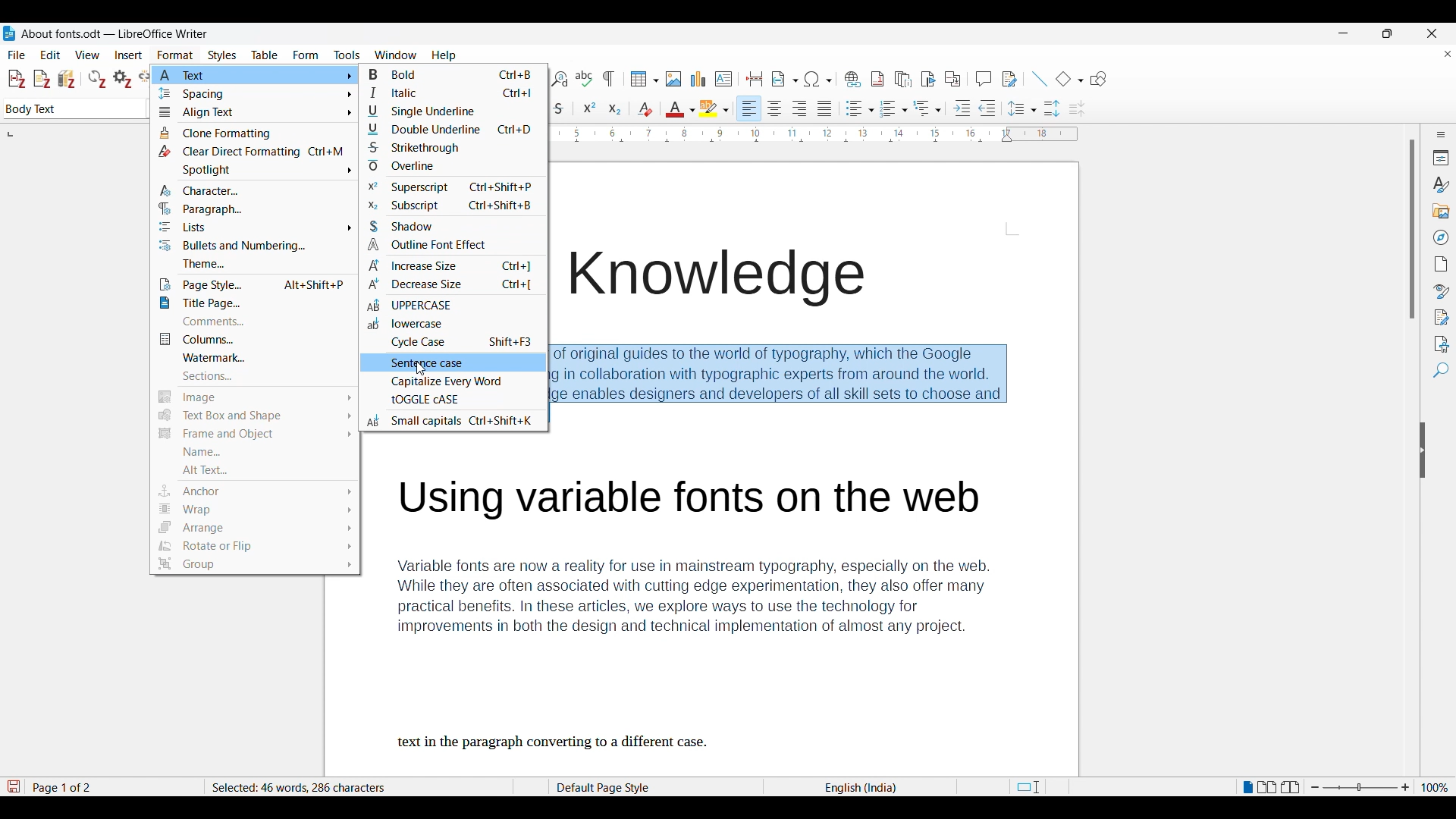 The width and height of the screenshot is (1456, 819). What do you see at coordinates (255, 437) in the screenshot?
I see `Frame and object` at bounding box center [255, 437].